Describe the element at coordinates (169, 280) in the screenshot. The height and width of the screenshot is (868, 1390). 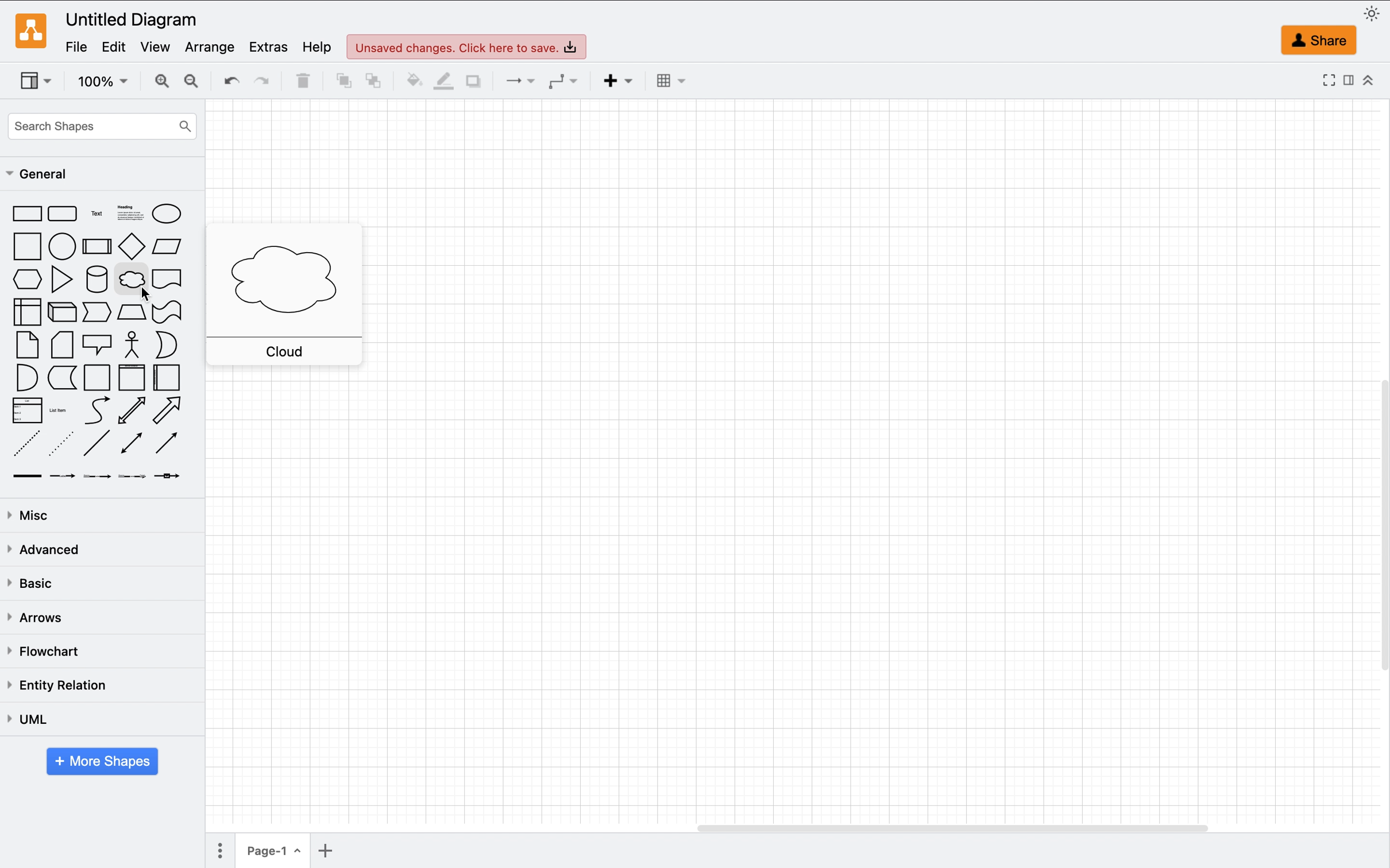
I see `document` at that location.